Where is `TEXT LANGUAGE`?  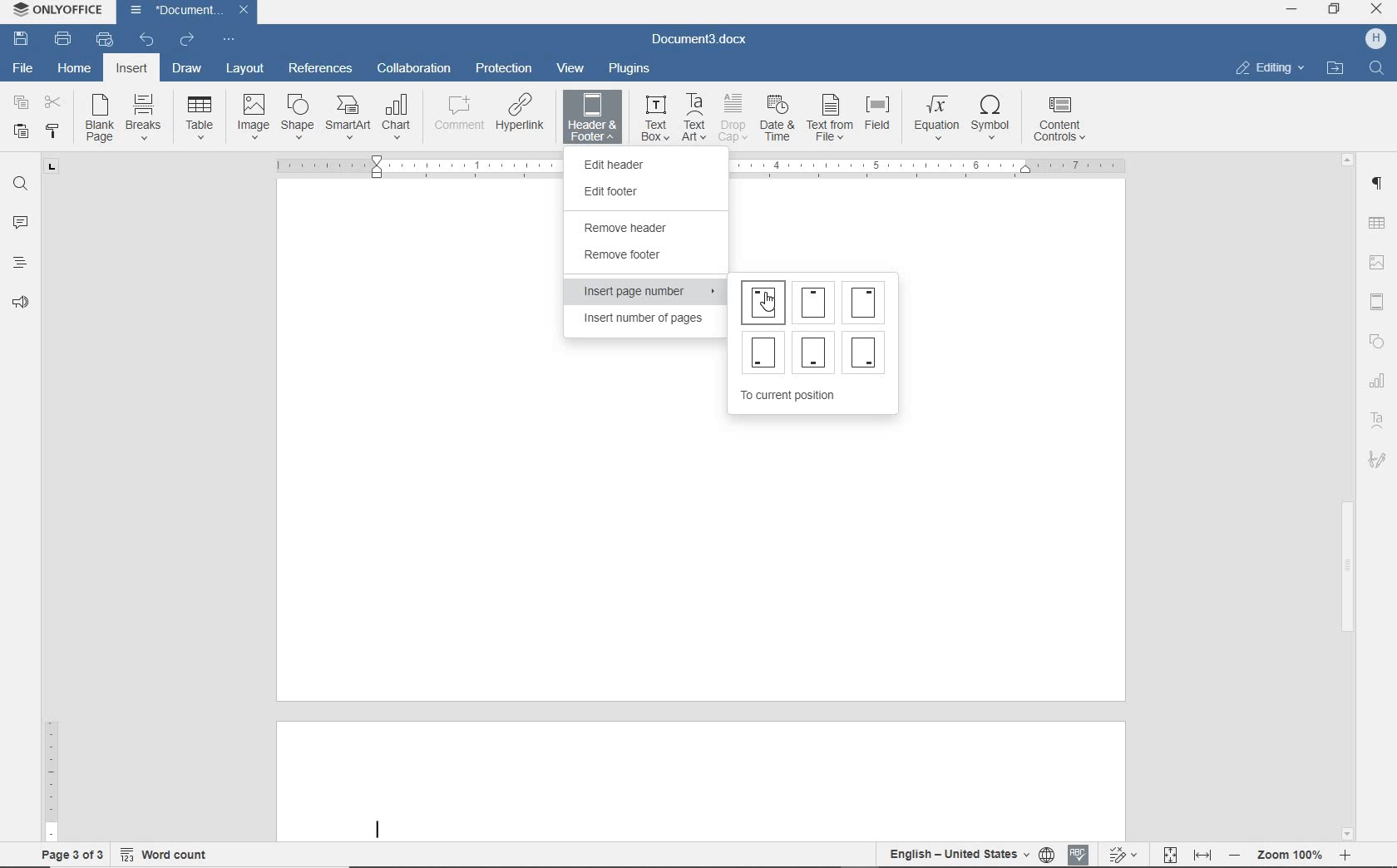 TEXT LANGUAGE is located at coordinates (958, 855).